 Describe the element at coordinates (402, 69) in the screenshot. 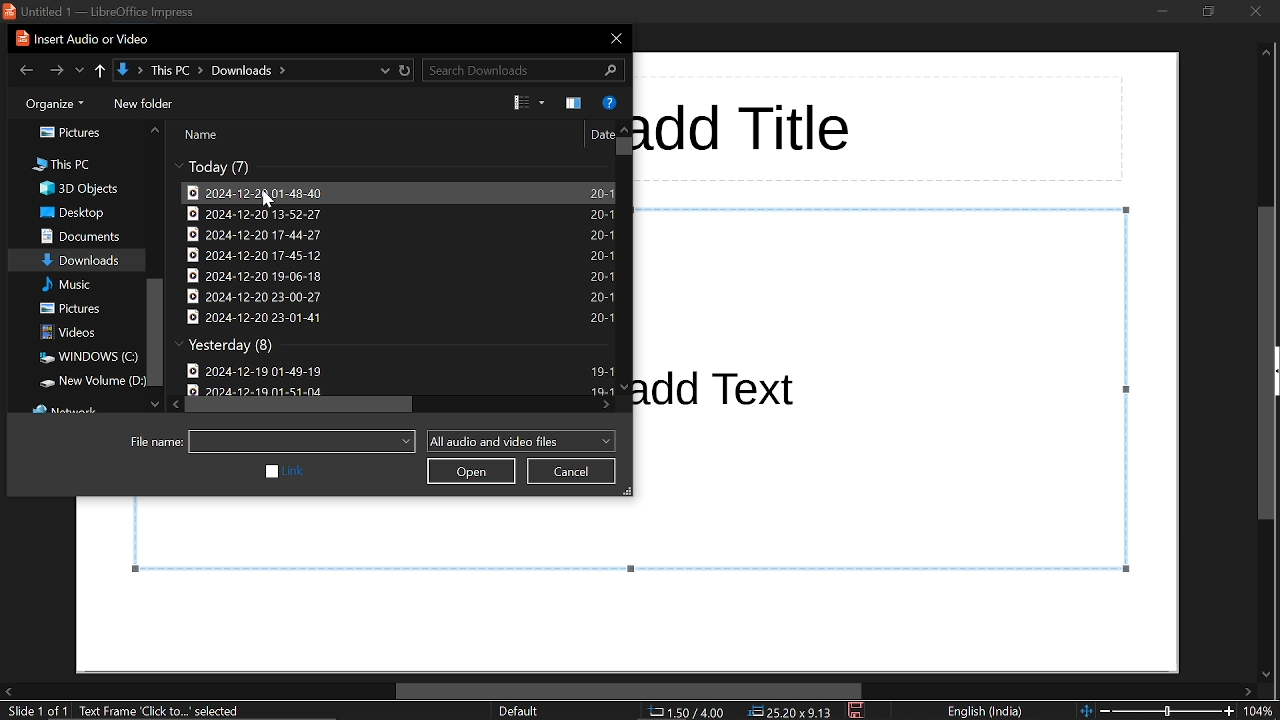

I see `refresh` at that location.